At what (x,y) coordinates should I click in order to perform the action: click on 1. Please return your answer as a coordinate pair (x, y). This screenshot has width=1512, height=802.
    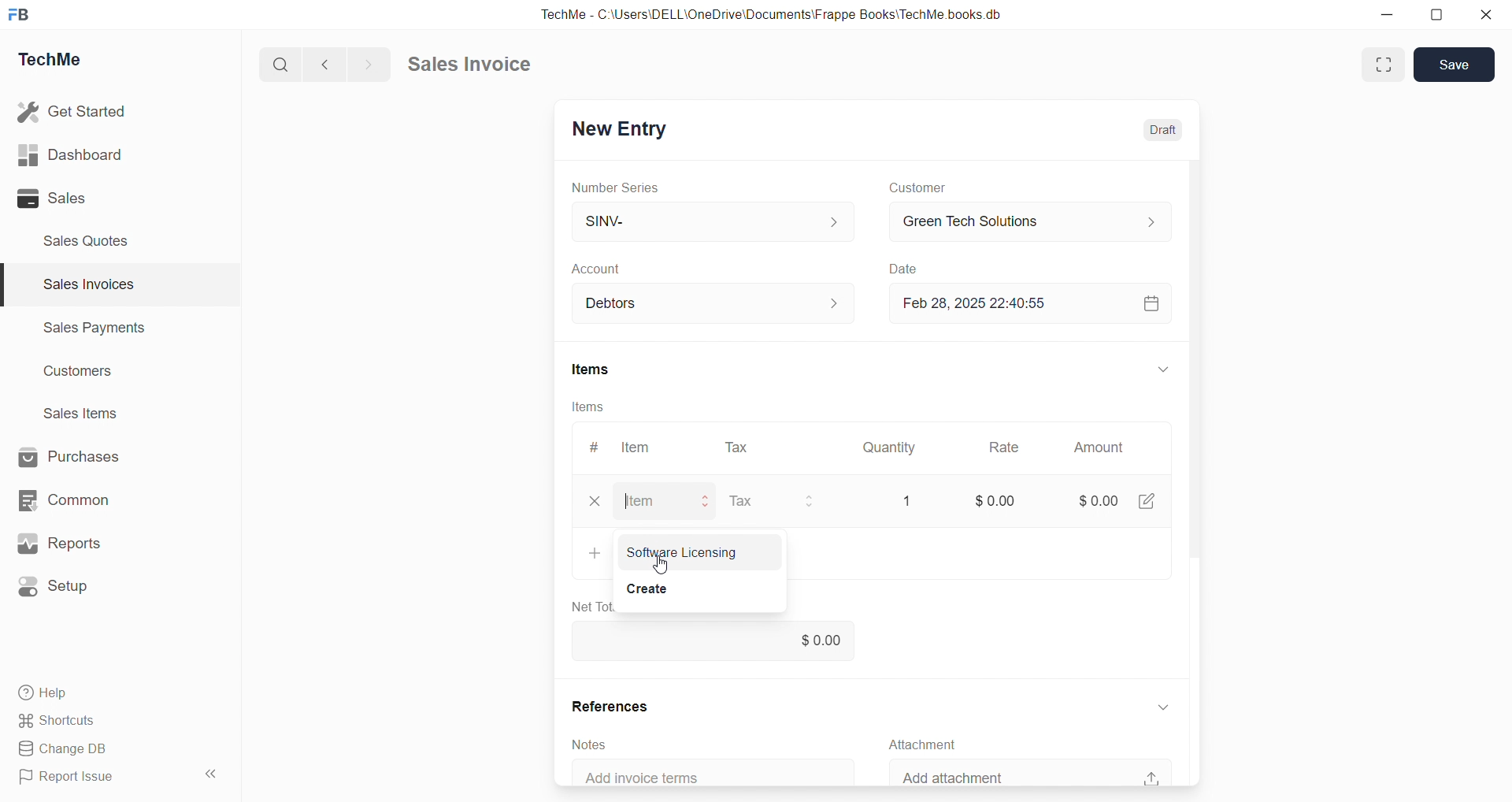
    Looking at the image, I should click on (907, 501).